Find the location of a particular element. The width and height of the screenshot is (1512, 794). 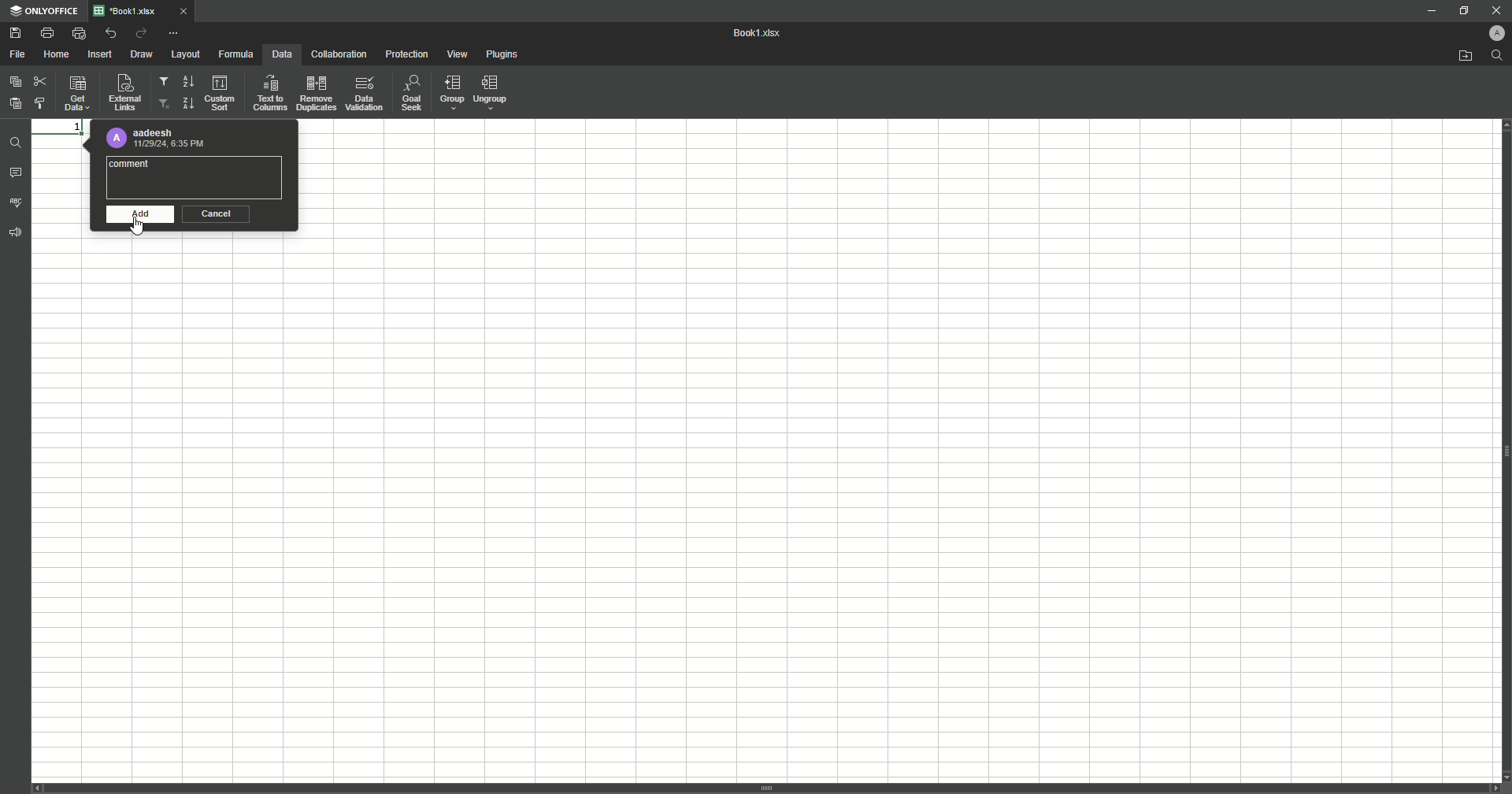

Add is located at coordinates (136, 215).